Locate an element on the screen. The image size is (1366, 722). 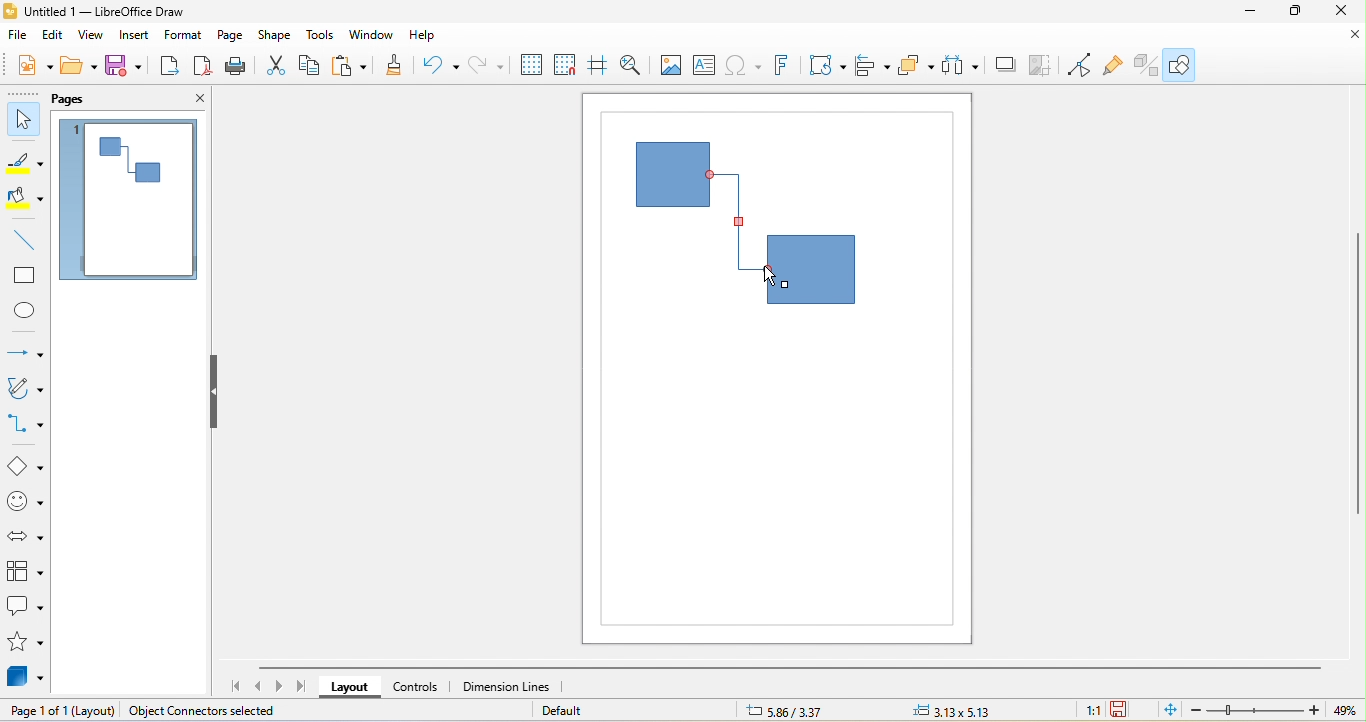
block arrow is located at coordinates (27, 537).